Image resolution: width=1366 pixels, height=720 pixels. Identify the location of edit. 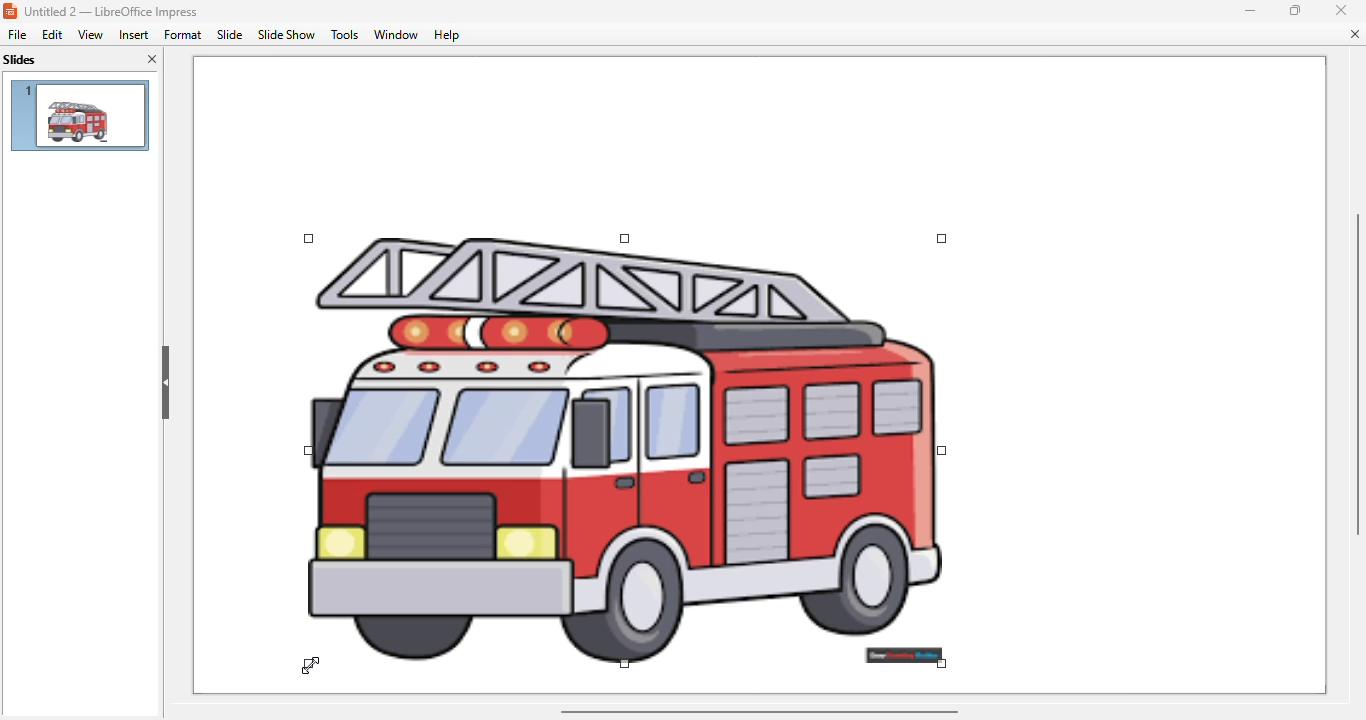
(52, 35).